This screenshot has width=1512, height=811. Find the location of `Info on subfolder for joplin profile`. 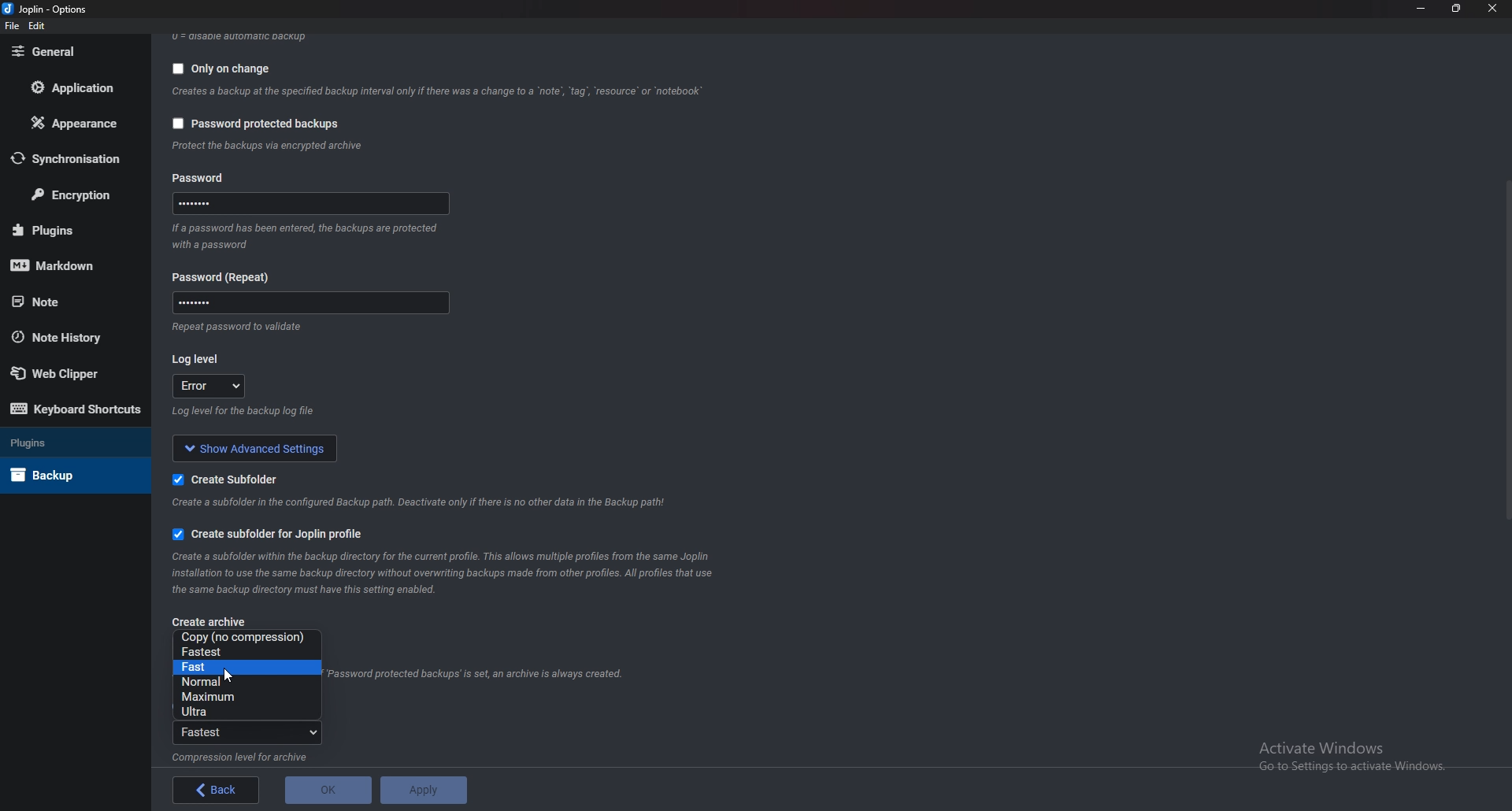

Info on subfolder for joplin profile is located at coordinates (447, 576).